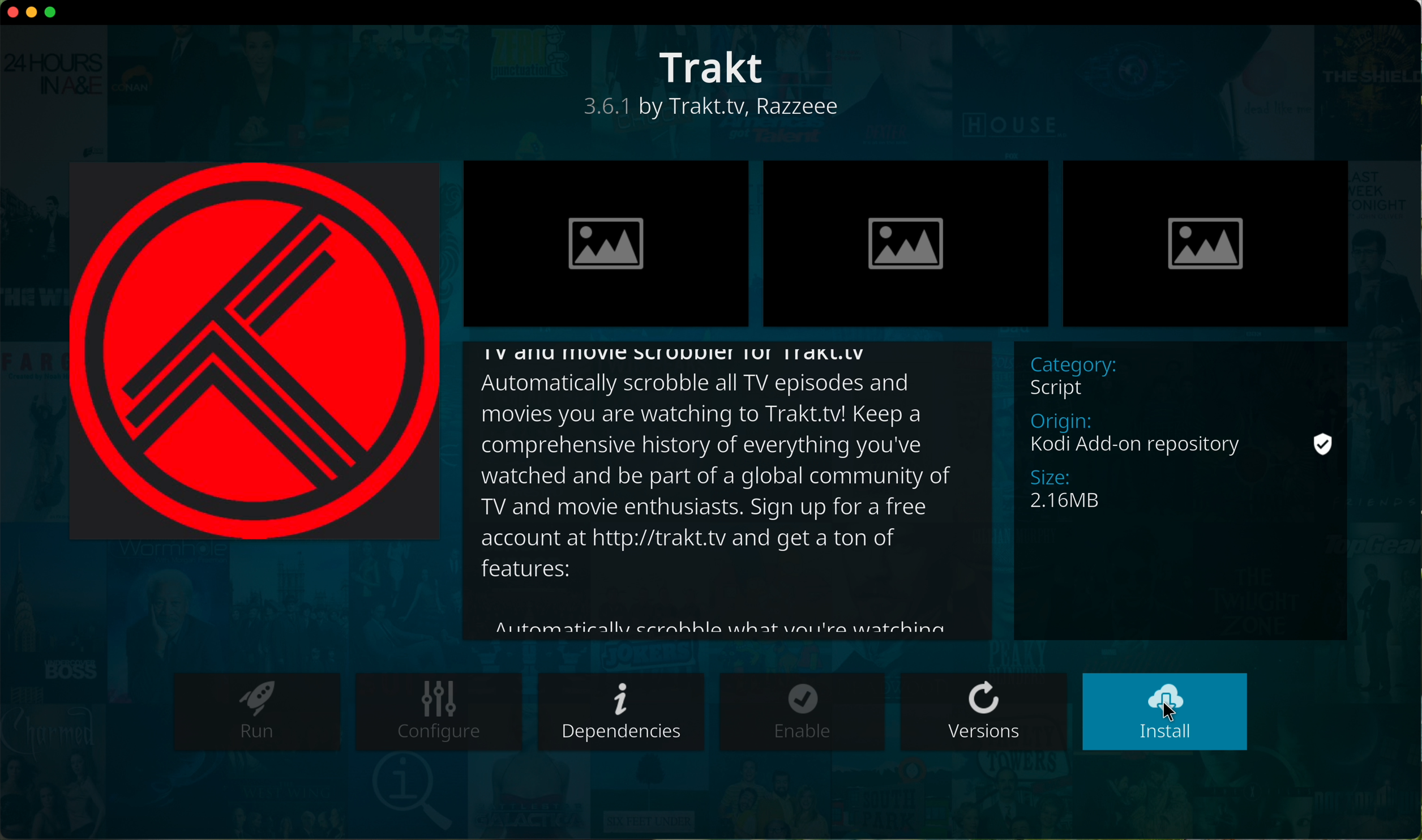  I want to click on run, so click(257, 710).